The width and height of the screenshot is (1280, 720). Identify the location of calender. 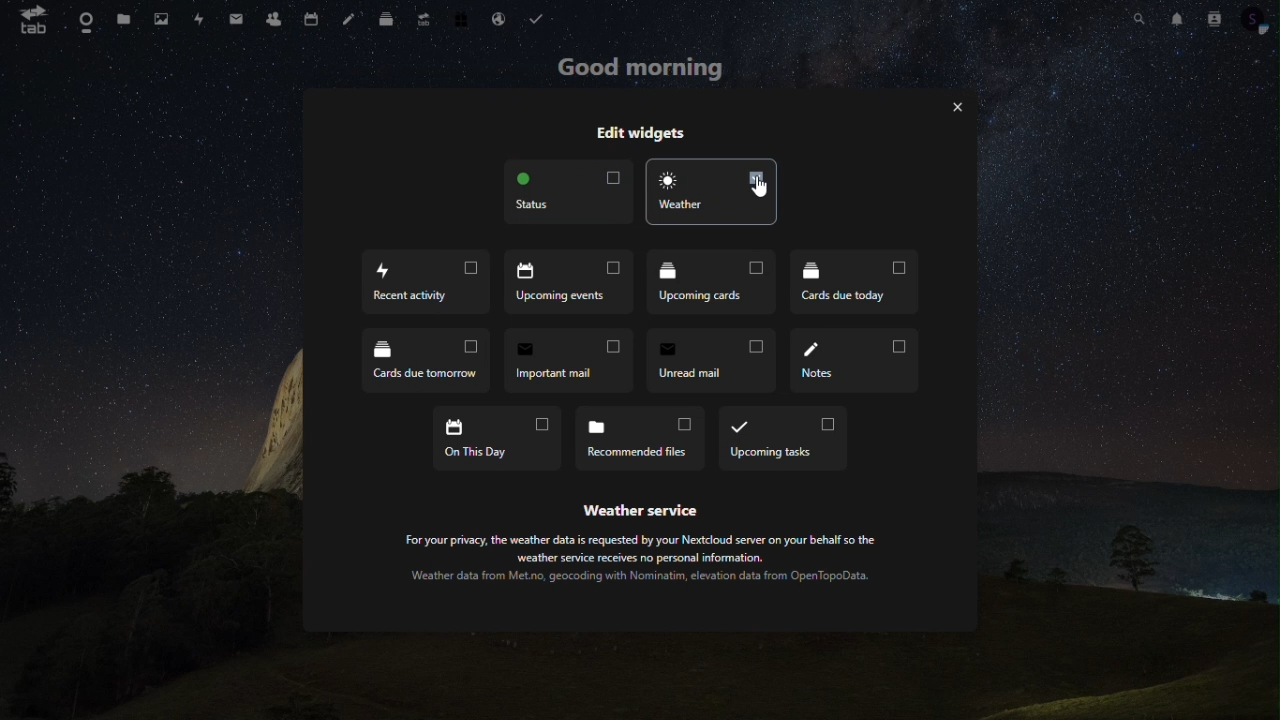
(313, 21).